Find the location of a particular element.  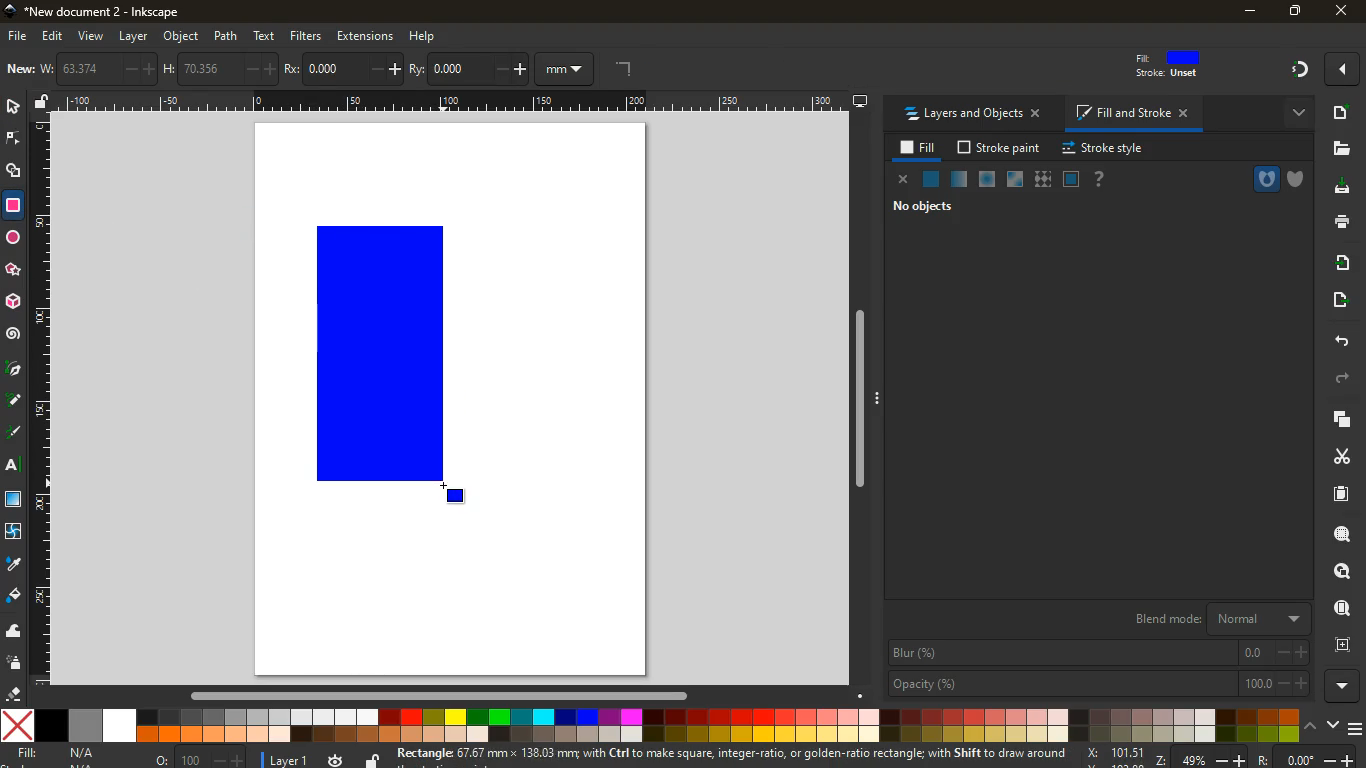

more is located at coordinates (1345, 684).